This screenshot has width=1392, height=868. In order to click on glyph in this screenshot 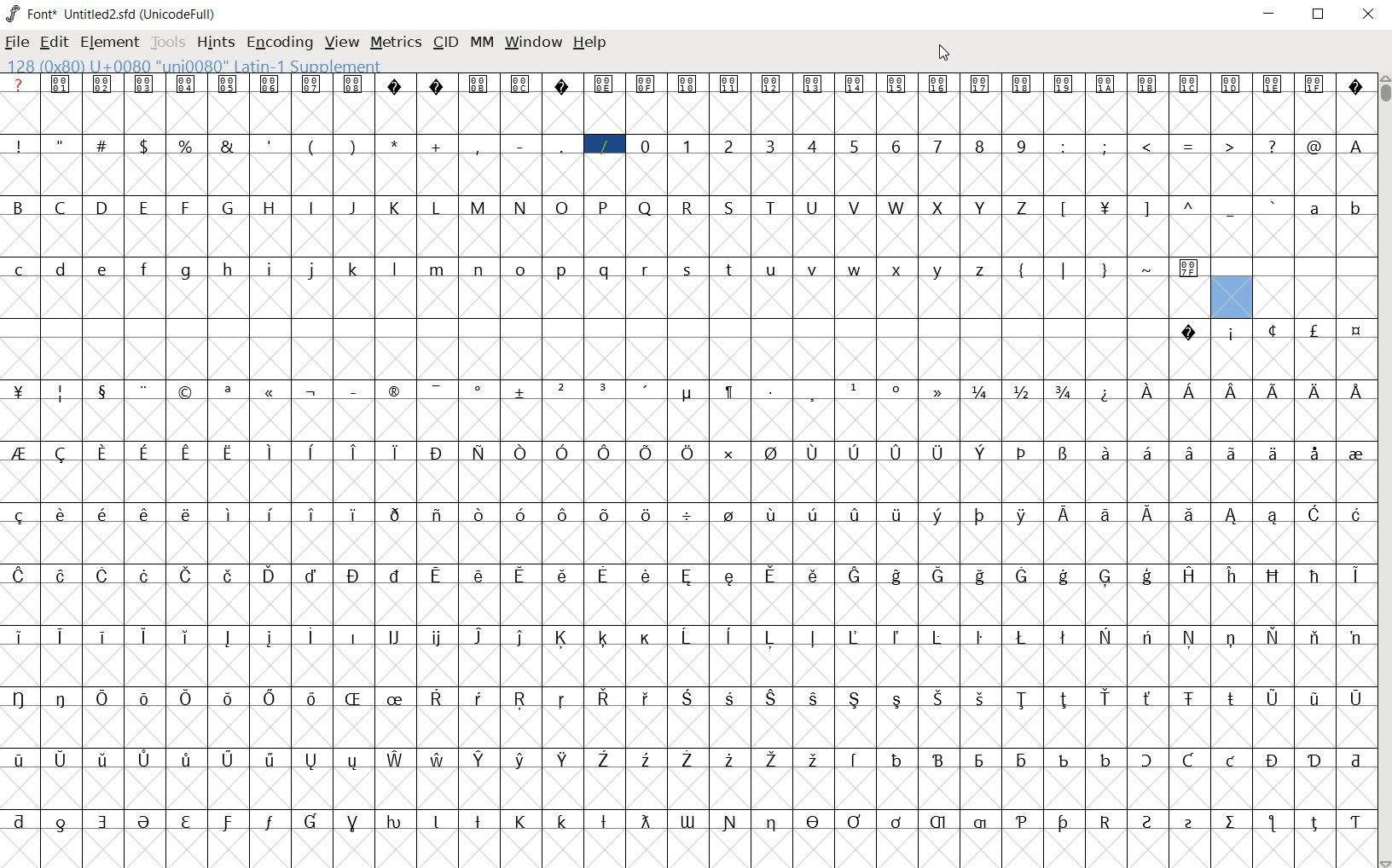, I will do `click(855, 270)`.